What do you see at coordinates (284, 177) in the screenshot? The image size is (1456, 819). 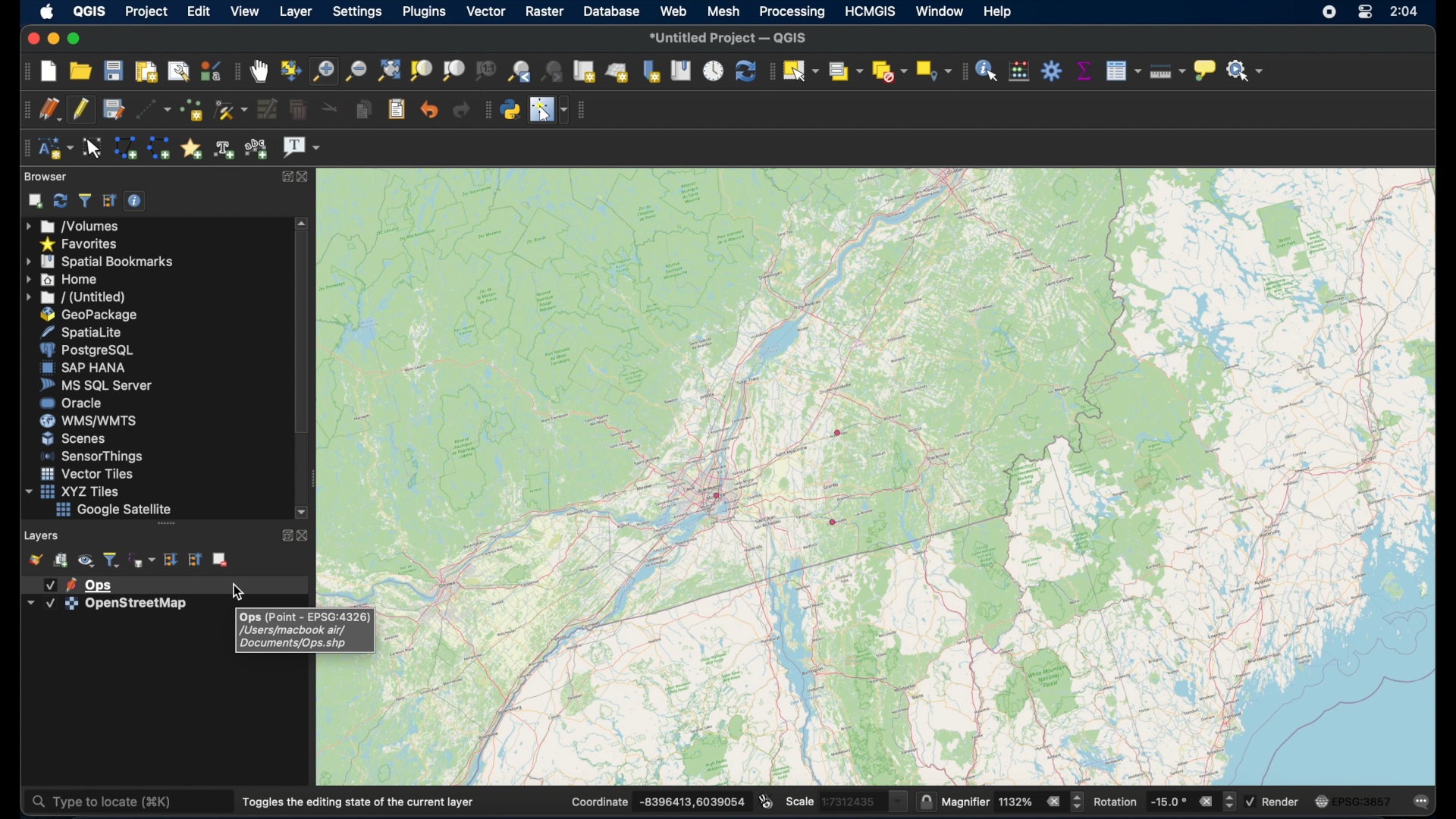 I see `expand` at bounding box center [284, 177].